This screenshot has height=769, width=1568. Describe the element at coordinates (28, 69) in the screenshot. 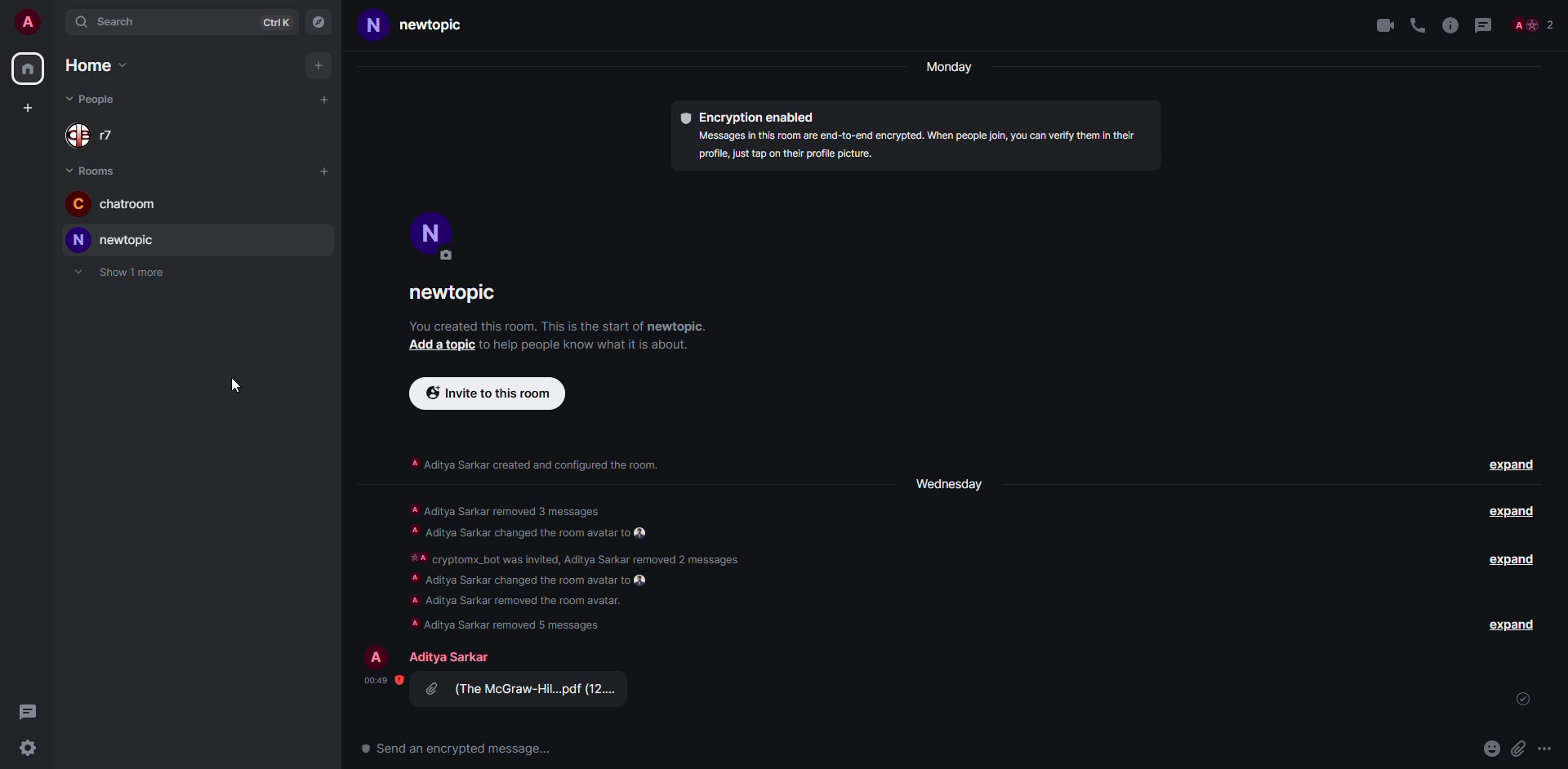

I see `home` at that location.